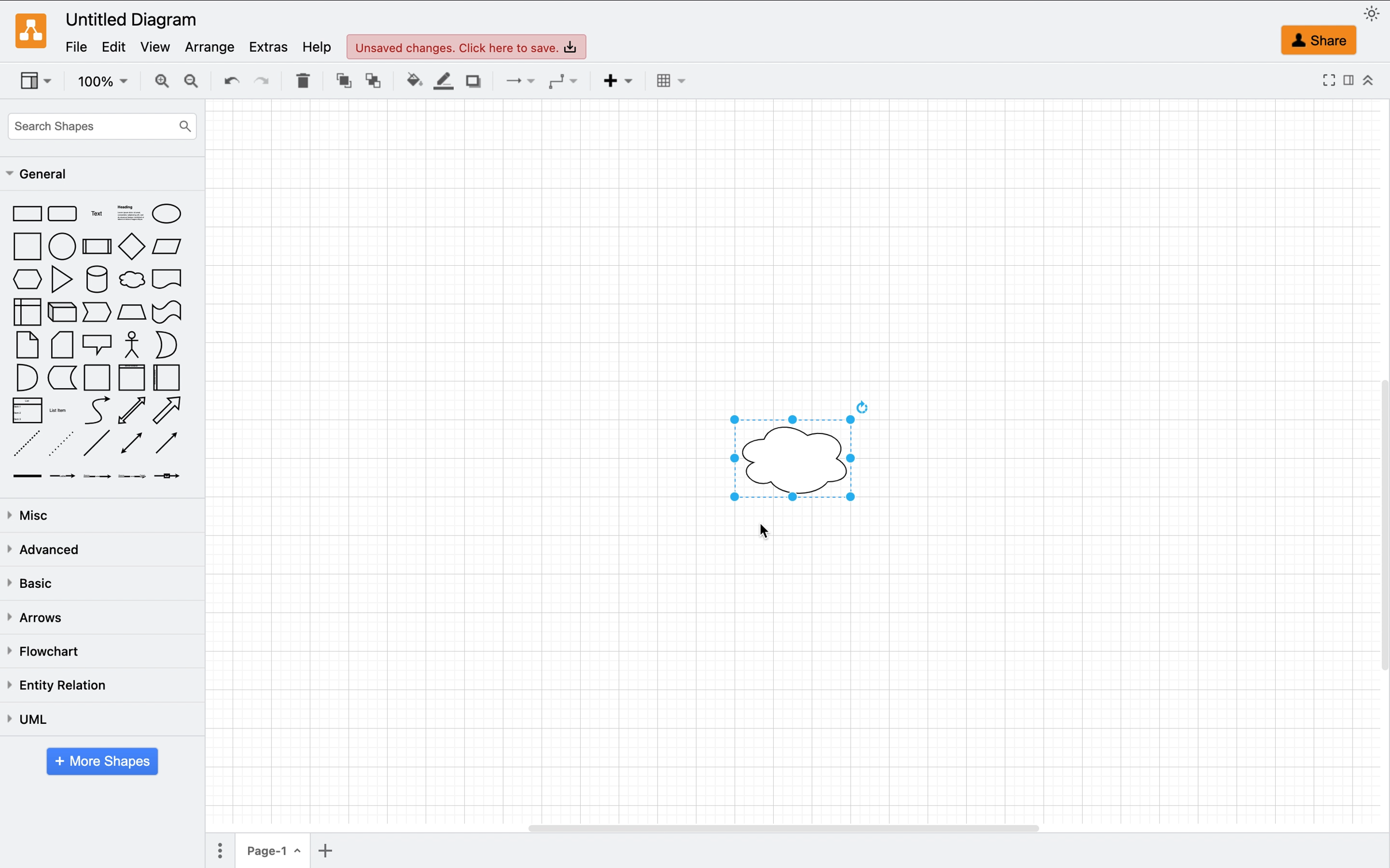  What do you see at coordinates (131, 410) in the screenshot?
I see `bidirectional arrow` at bounding box center [131, 410].